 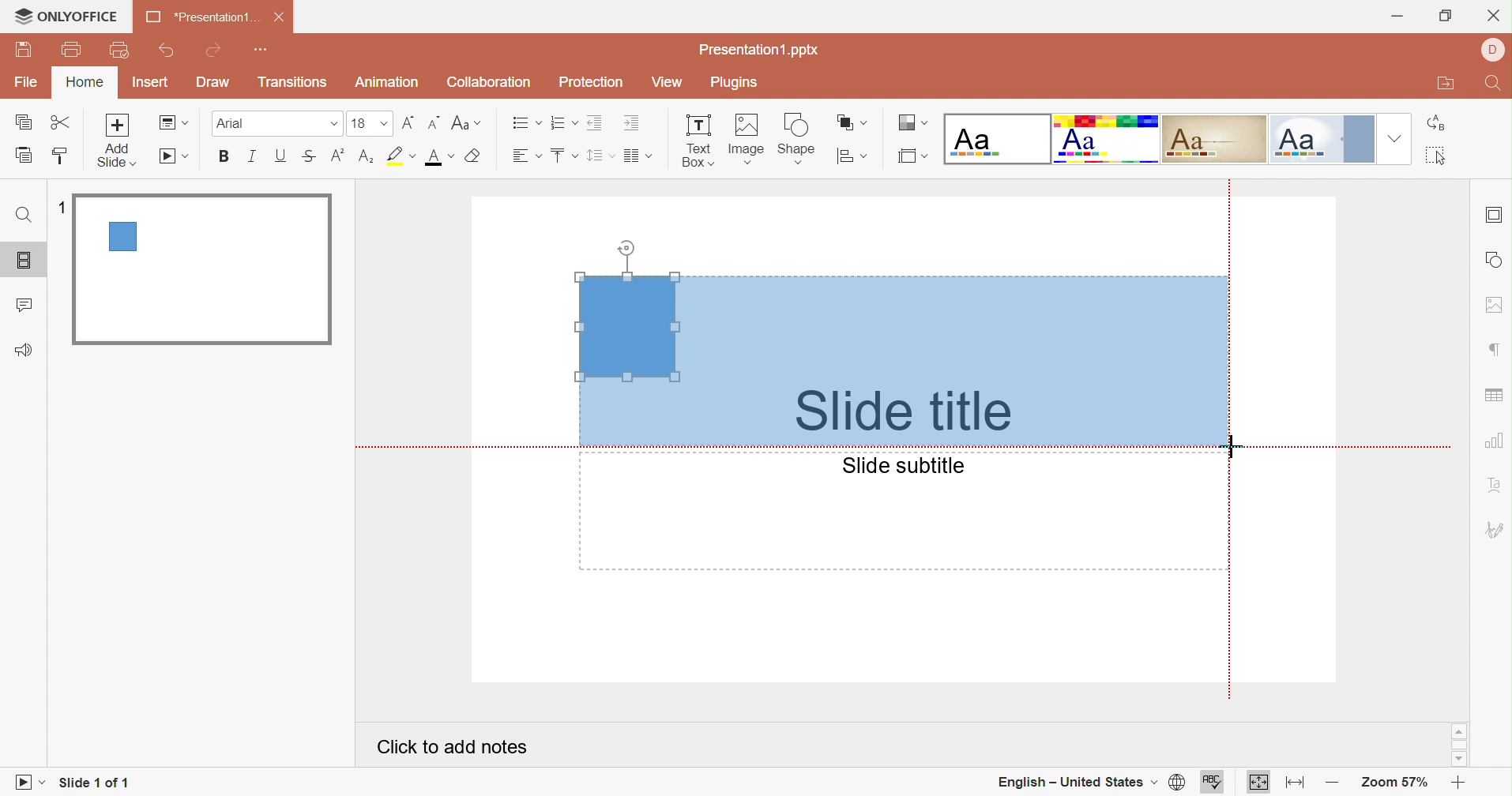 I want to click on Start slideshow, so click(x=27, y=784).